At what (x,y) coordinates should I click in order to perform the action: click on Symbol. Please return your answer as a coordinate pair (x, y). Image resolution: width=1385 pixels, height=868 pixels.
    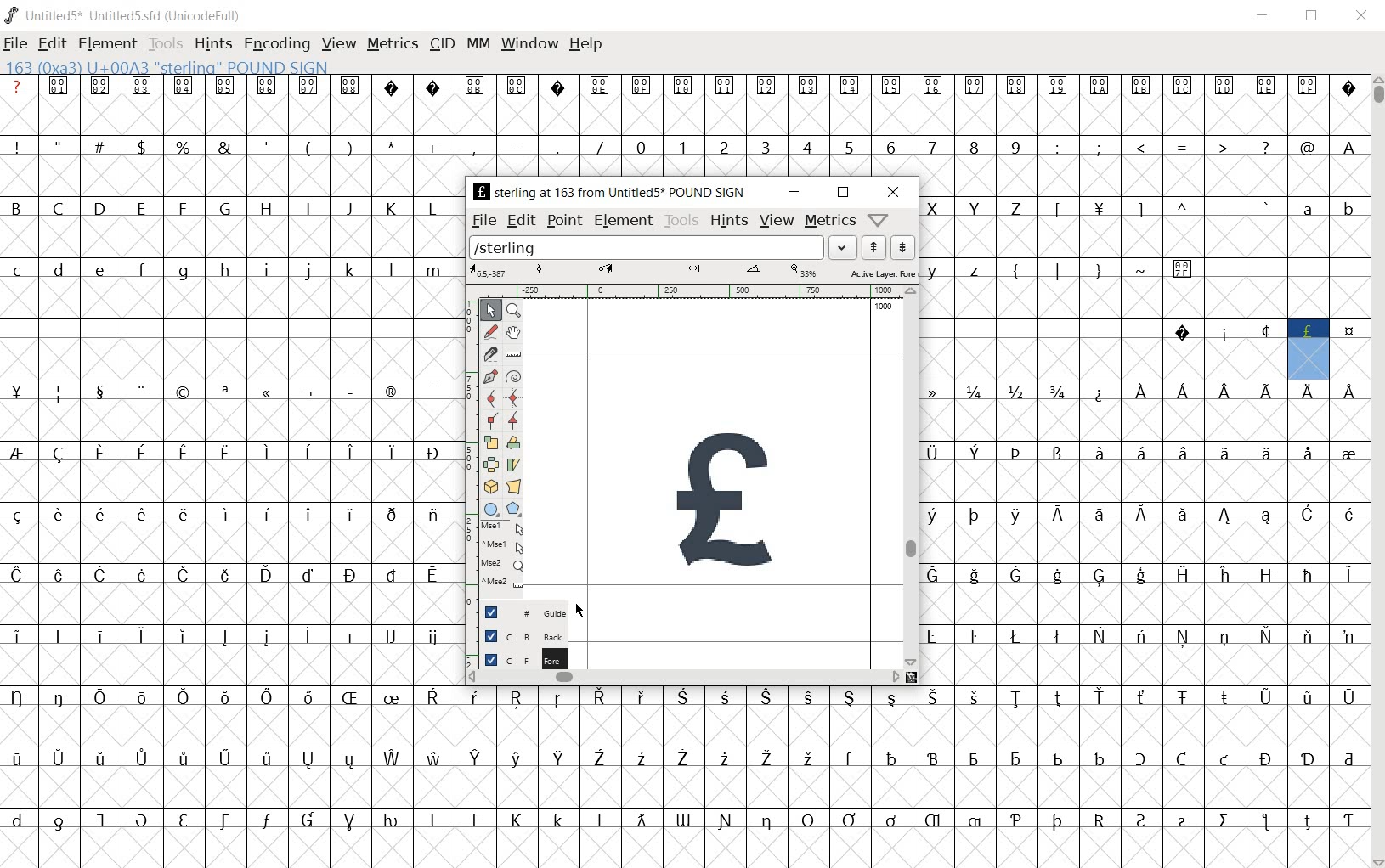
    Looking at the image, I should click on (308, 392).